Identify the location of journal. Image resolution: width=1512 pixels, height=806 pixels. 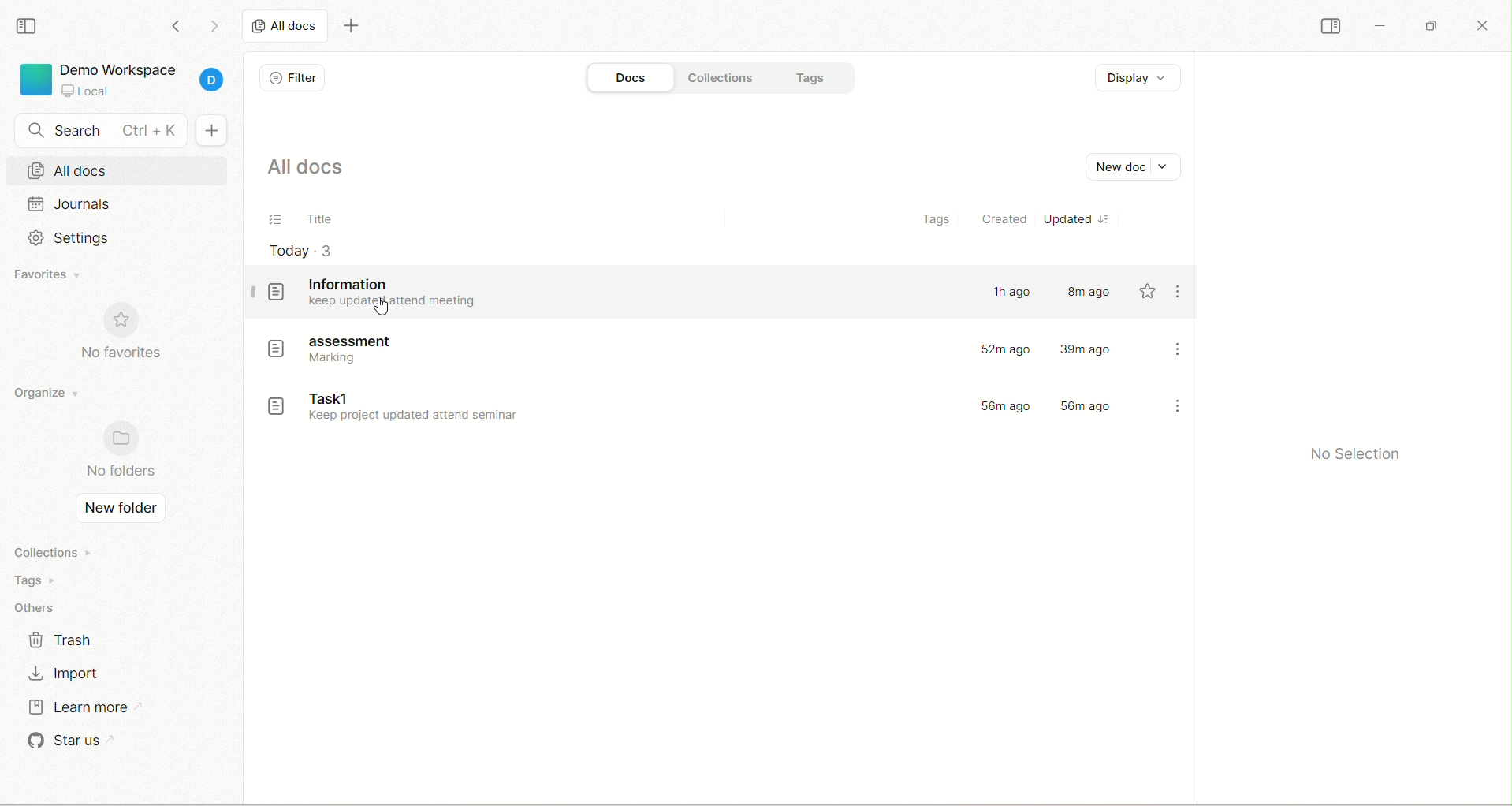
(122, 206).